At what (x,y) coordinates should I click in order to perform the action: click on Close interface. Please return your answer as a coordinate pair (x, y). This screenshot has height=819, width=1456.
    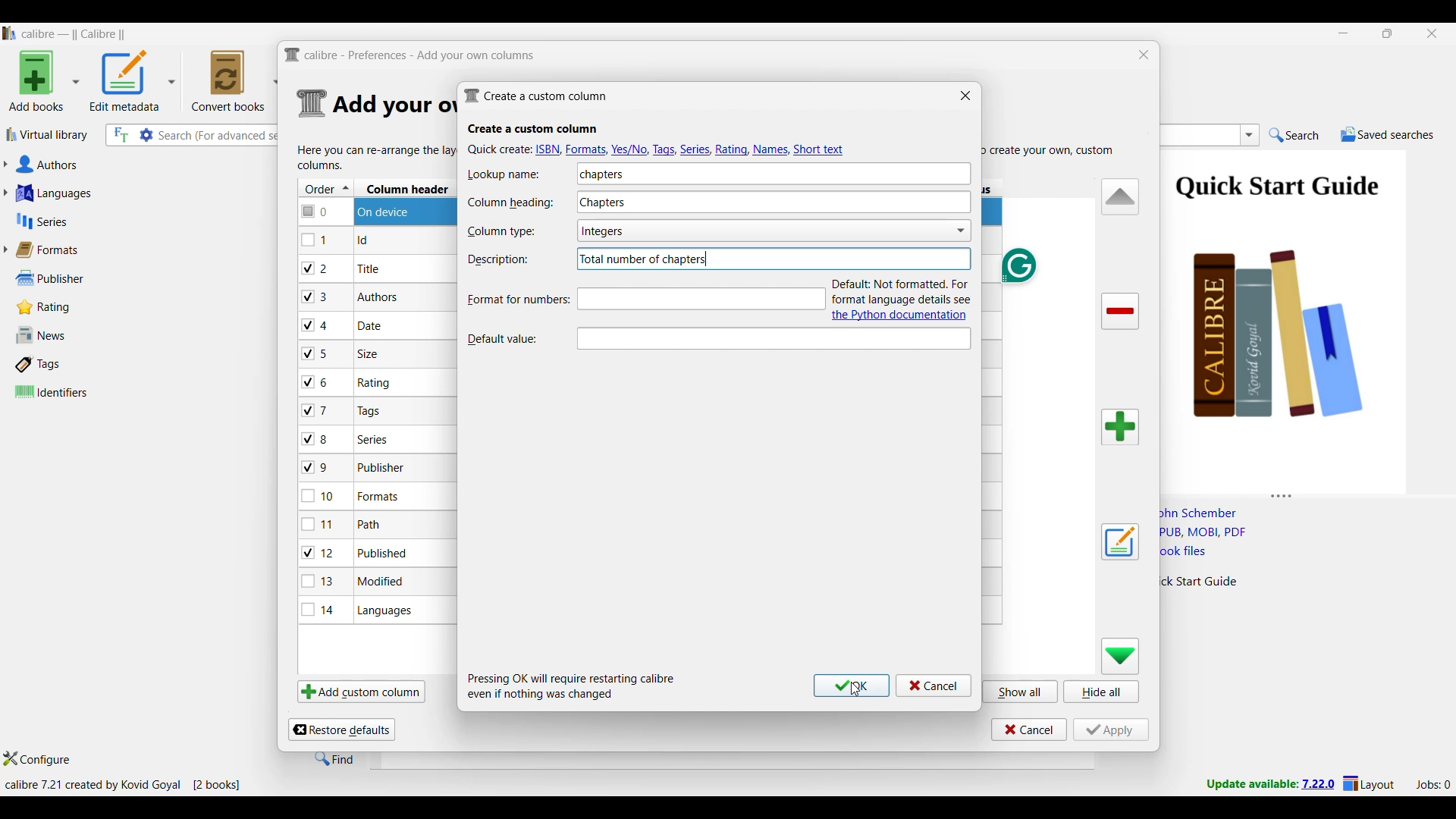
    Looking at the image, I should click on (1432, 33).